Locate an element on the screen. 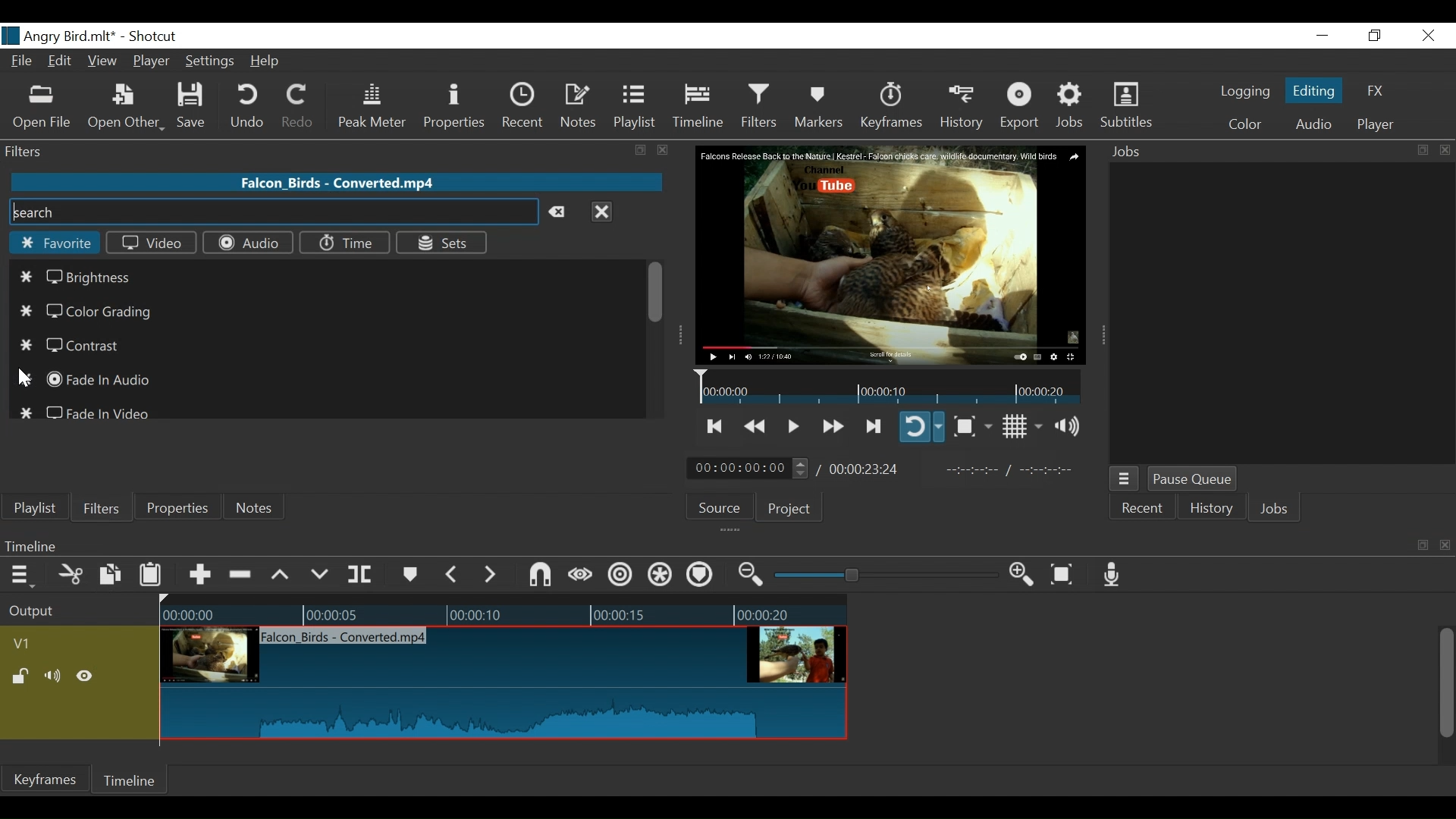 This screenshot has width=1456, height=819. Properties is located at coordinates (457, 108).